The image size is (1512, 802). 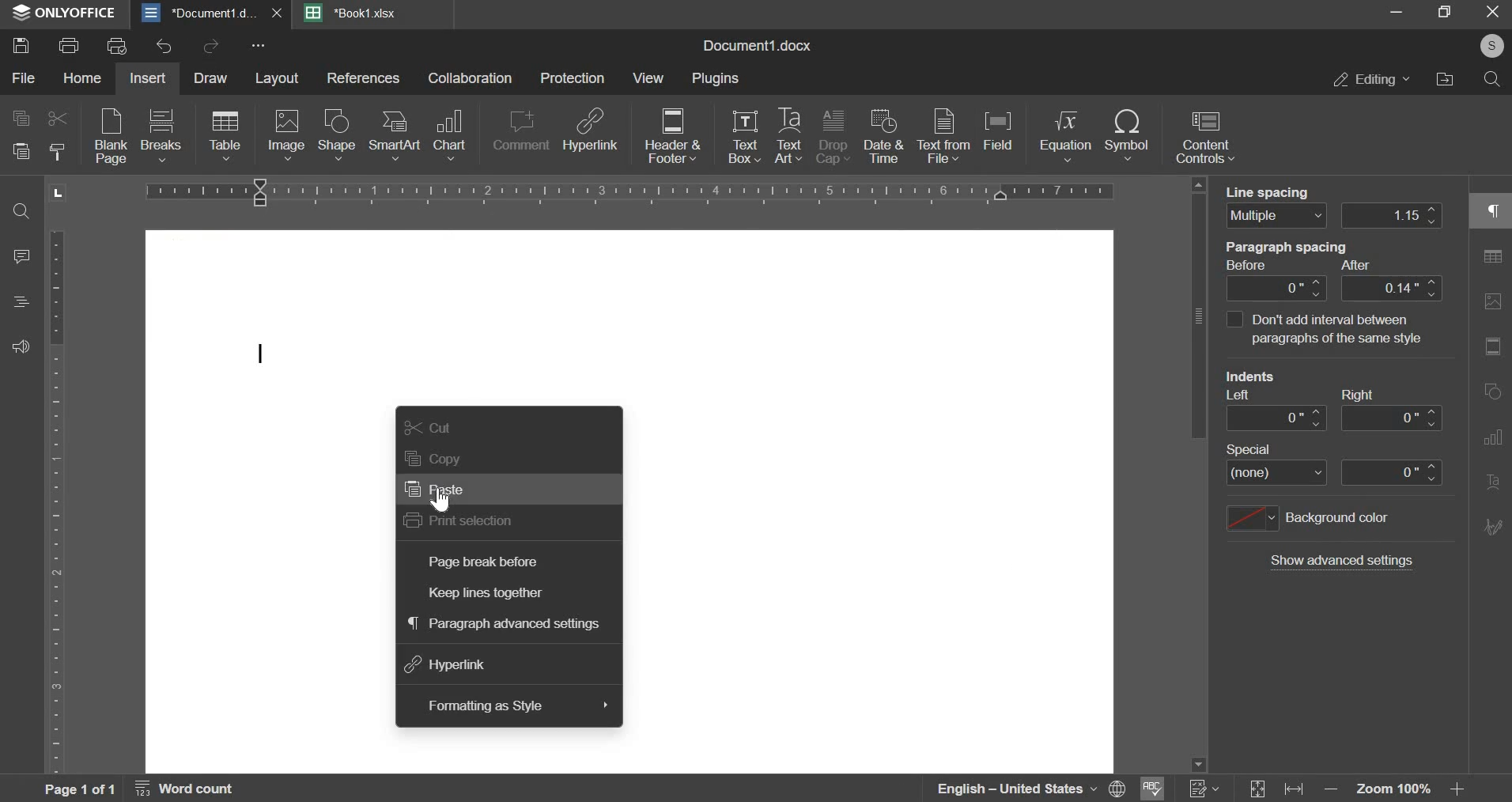 I want to click on file location, so click(x=1445, y=82).